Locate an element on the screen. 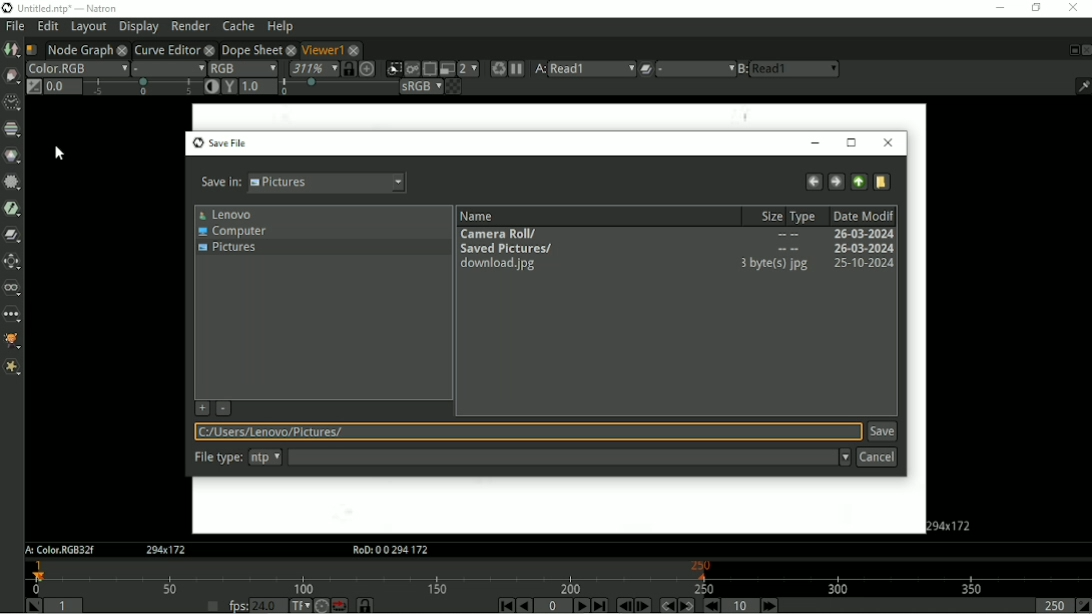 This screenshot has height=614, width=1092. First frame is located at coordinates (505, 606).